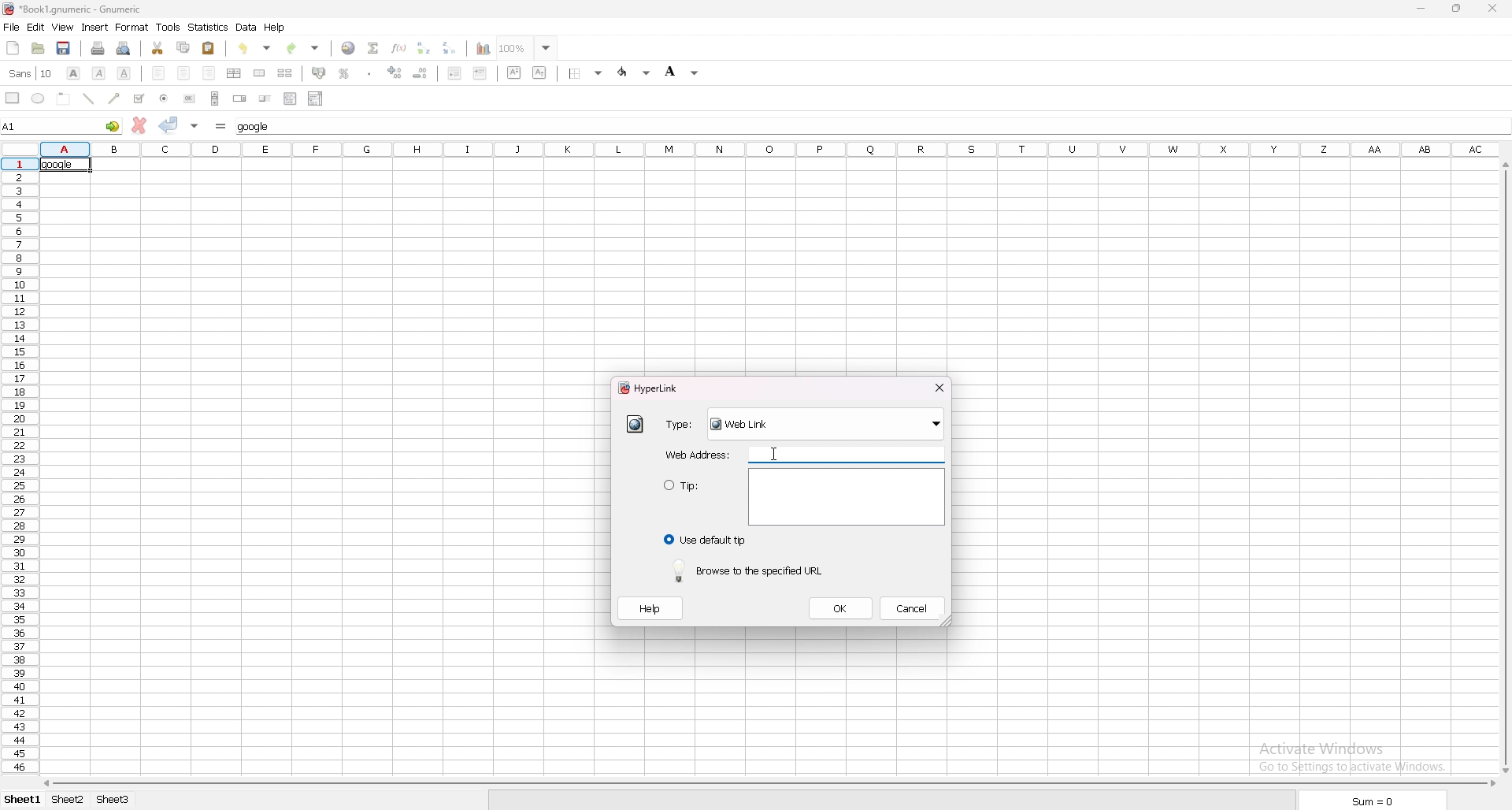 The height and width of the screenshot is (810, 1512). Describe the element at coordinates (1421, 9) in the screenshot. I see `minimize` at that location.